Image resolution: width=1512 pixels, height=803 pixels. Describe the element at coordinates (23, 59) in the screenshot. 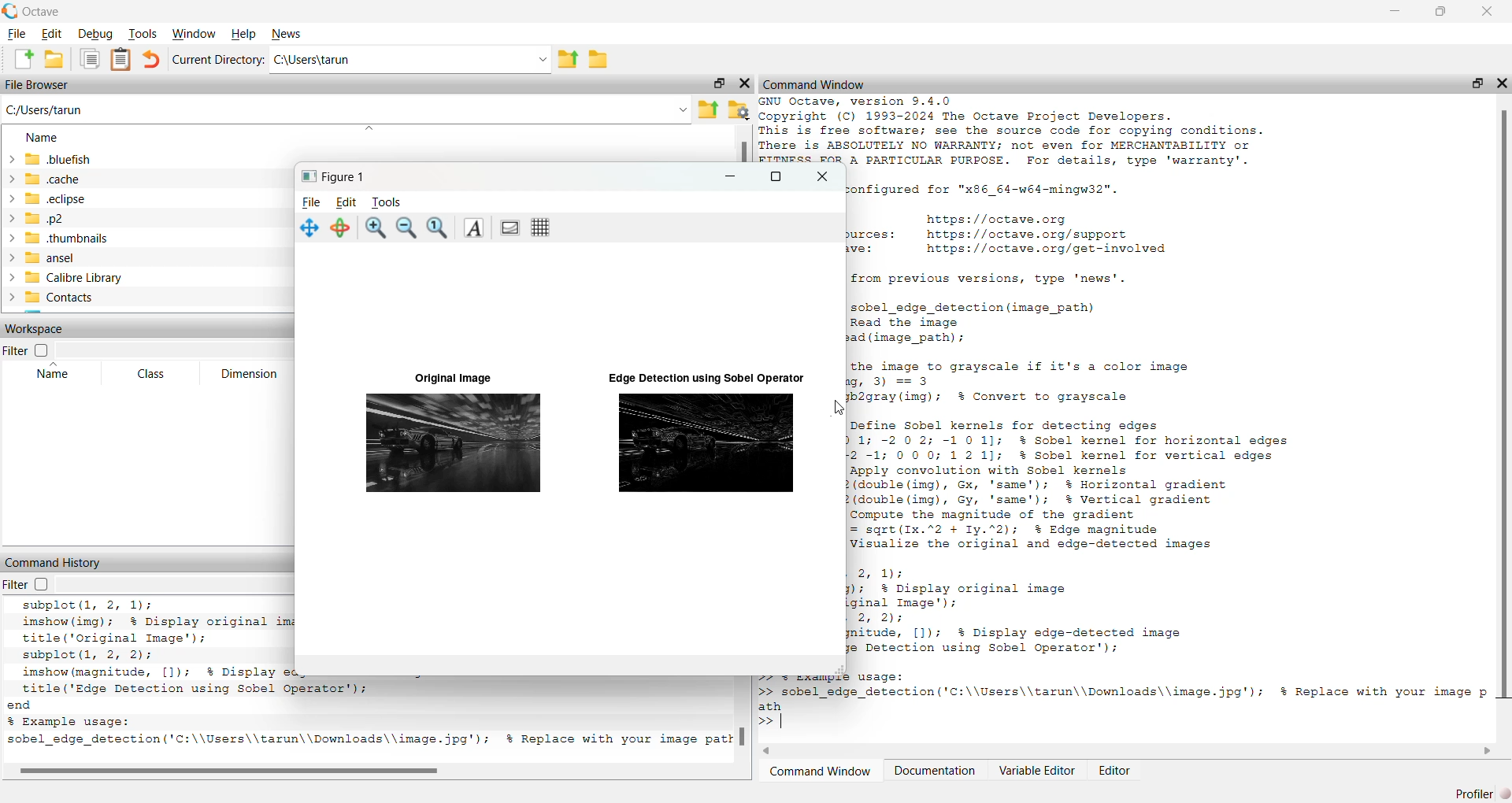

I see `create new` at that location.